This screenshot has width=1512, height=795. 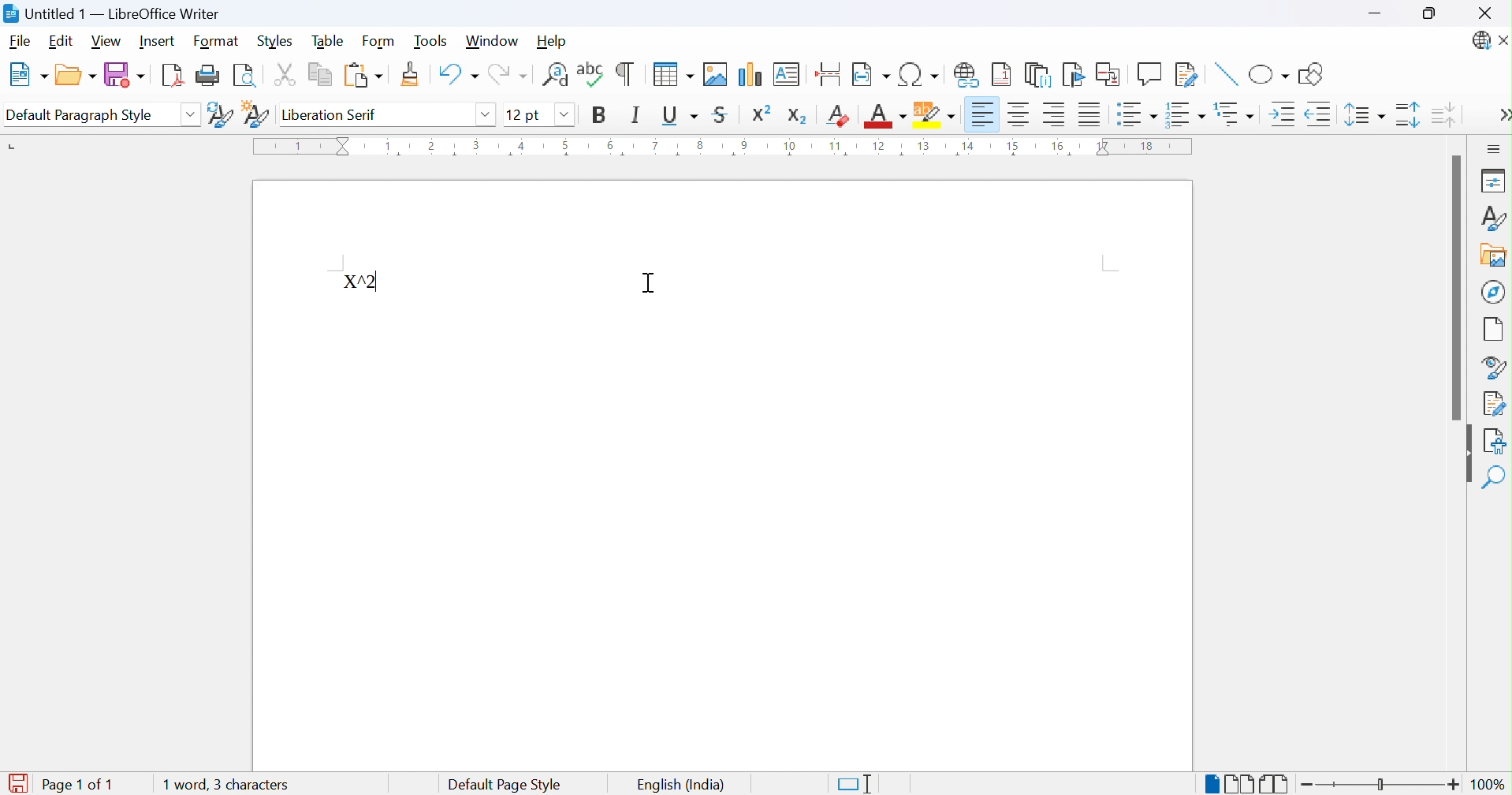 I want to click on Default page style, so click(x=503, y=785).